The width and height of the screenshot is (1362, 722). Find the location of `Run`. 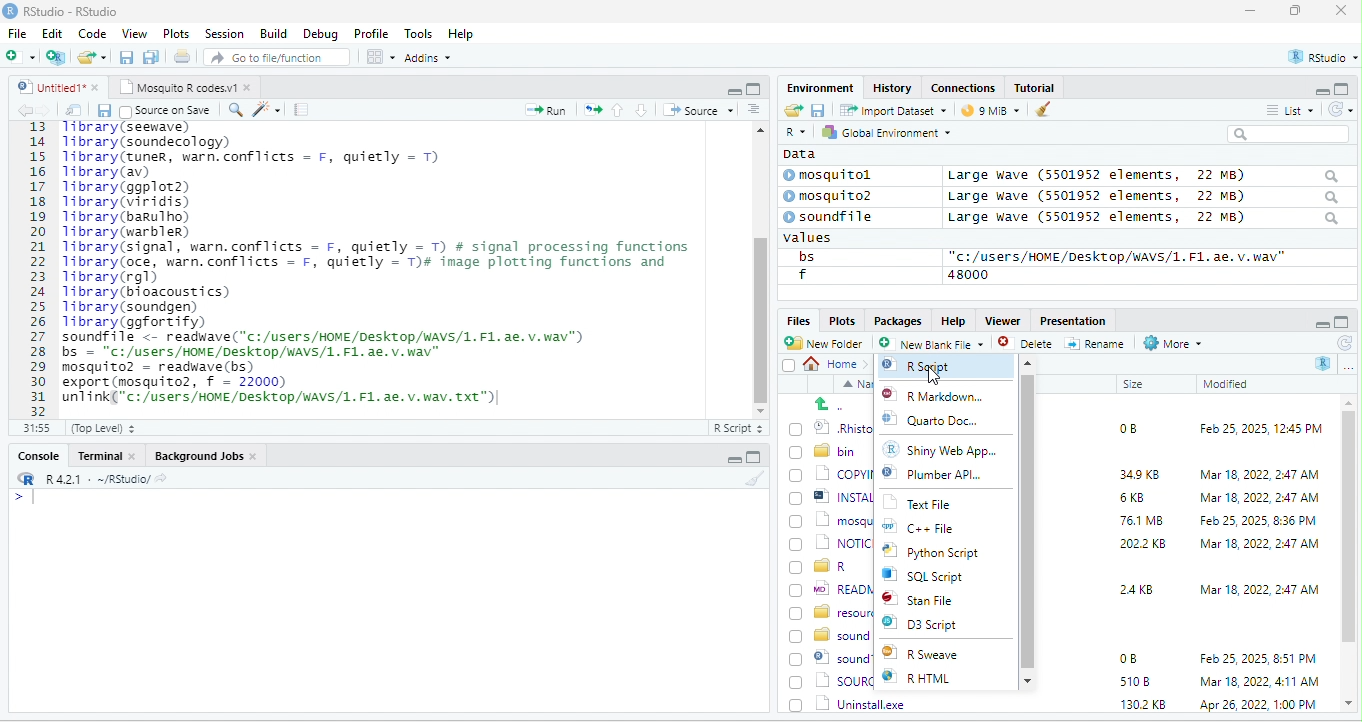

Run is located at coordinates (542, 110).